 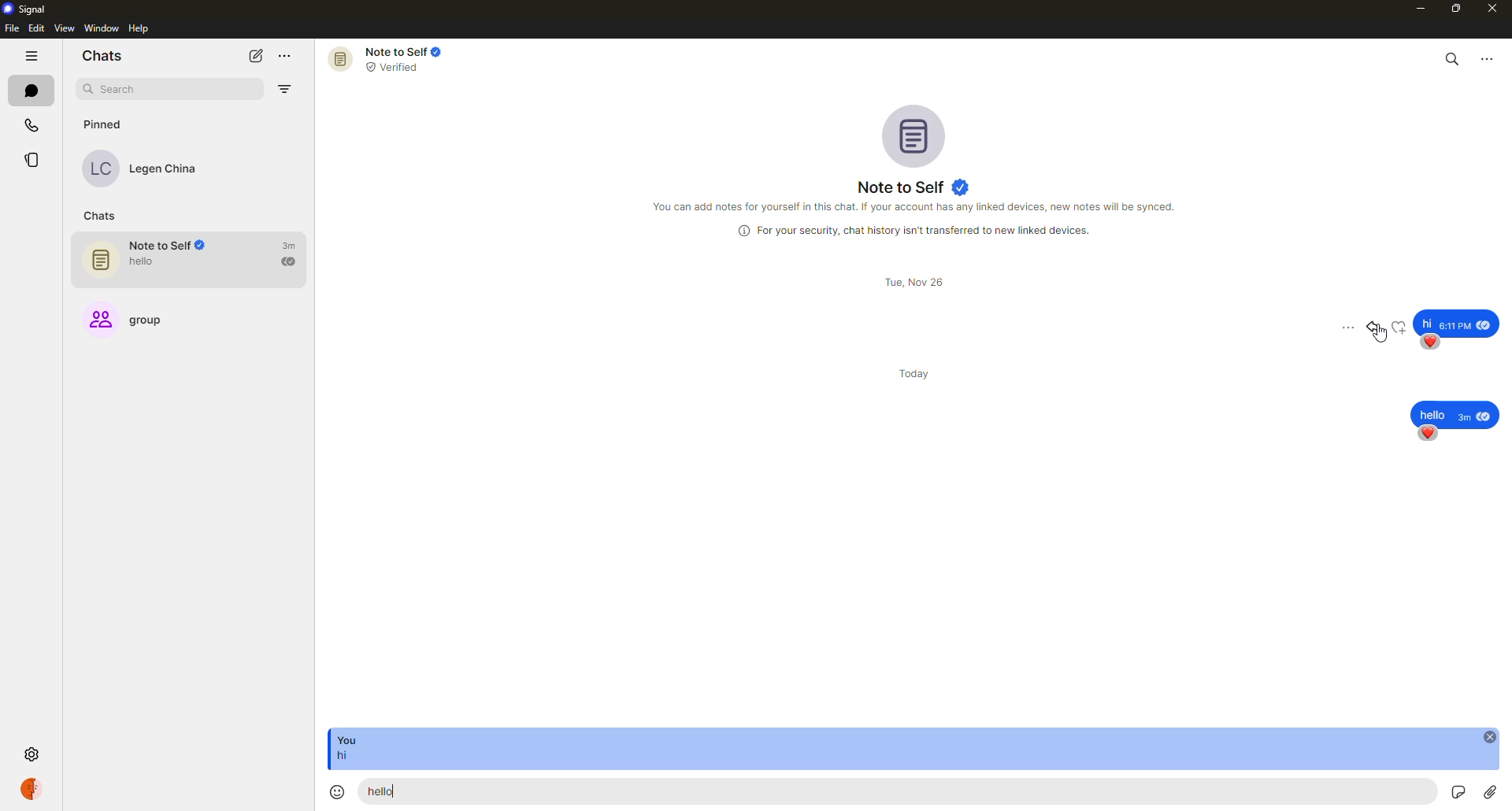 What do you see at coordinates (387, 59) in the screenshot?
I see `note to self` at bounding box center [387, 59].